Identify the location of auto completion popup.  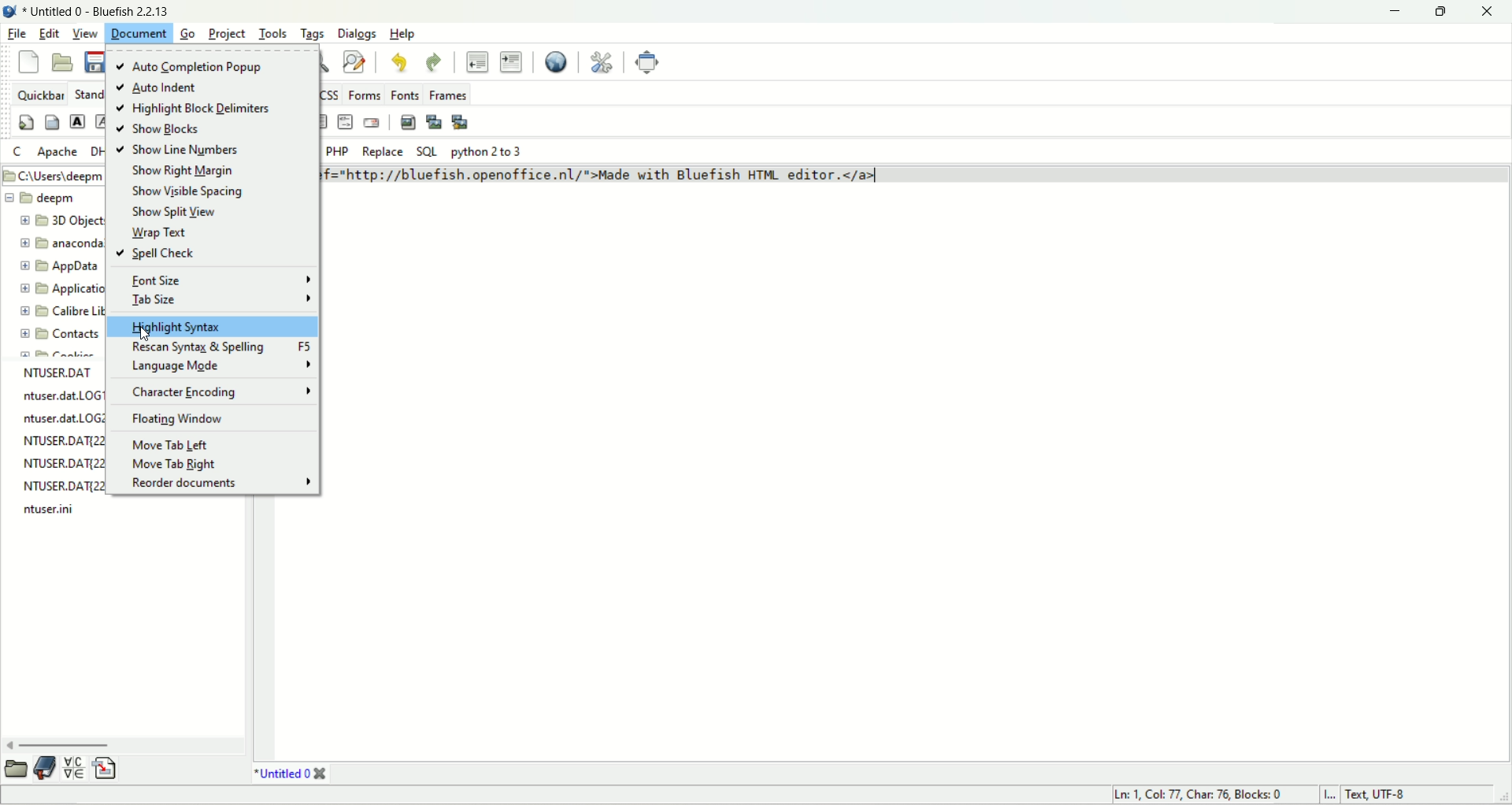
(204, 65).